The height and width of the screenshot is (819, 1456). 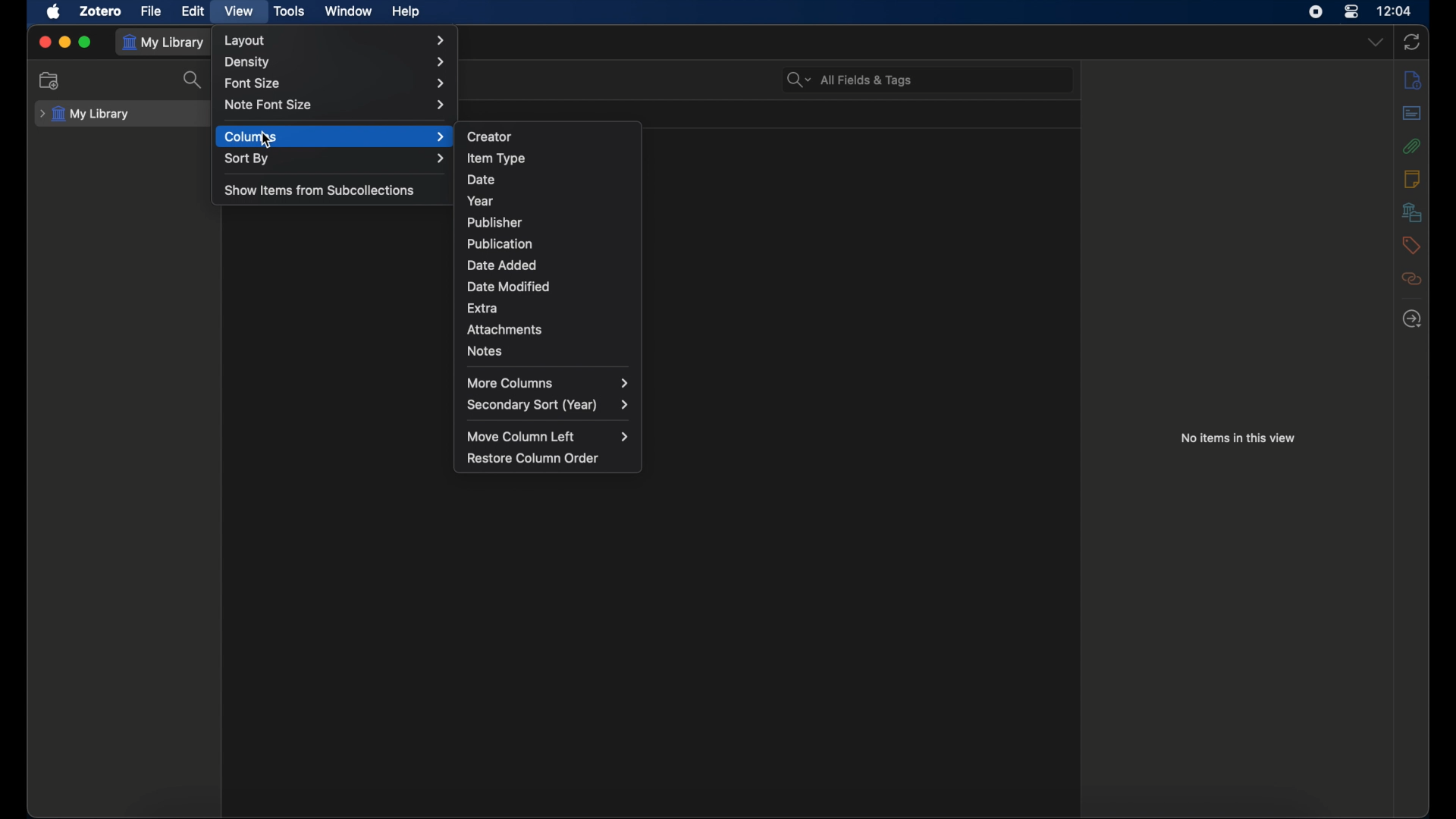 What do you see at coordinates (102, 11) in the screenshot?
I see `zotero` at bounding box center [102, 11].